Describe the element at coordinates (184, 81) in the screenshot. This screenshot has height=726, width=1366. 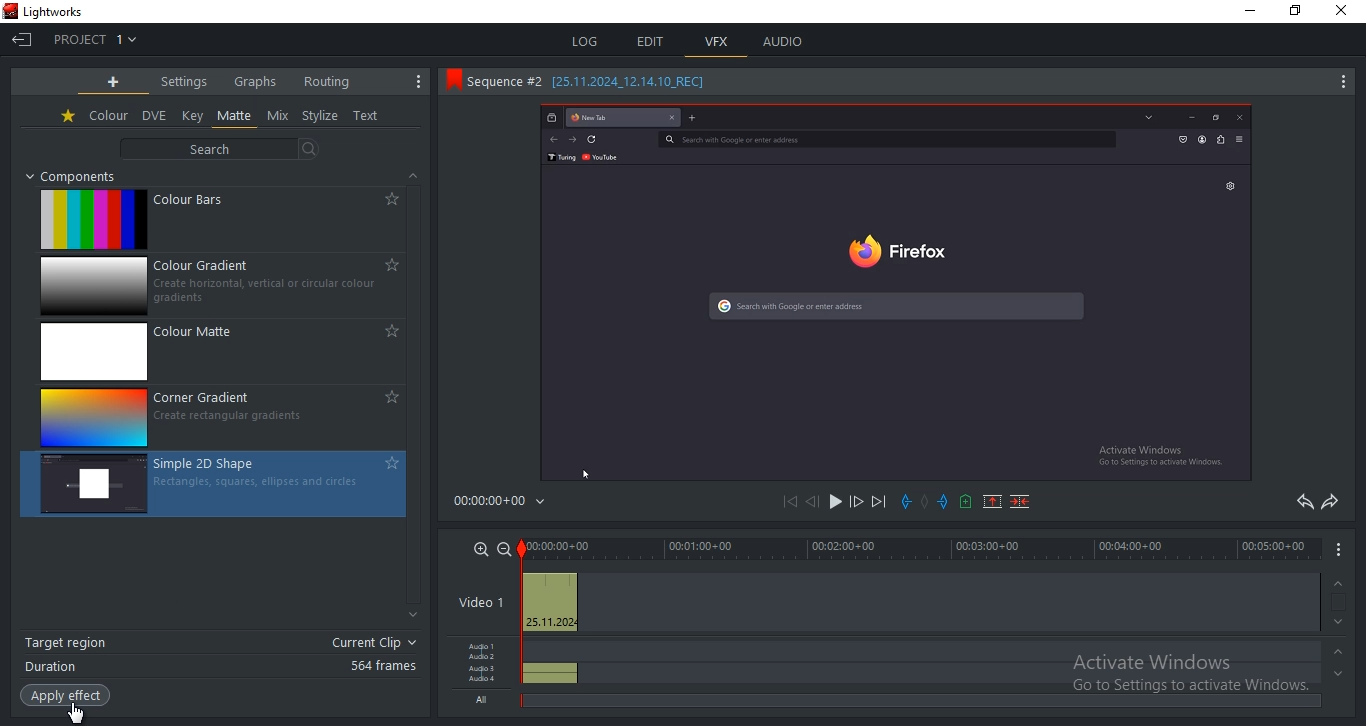
I see `settings` at that location.